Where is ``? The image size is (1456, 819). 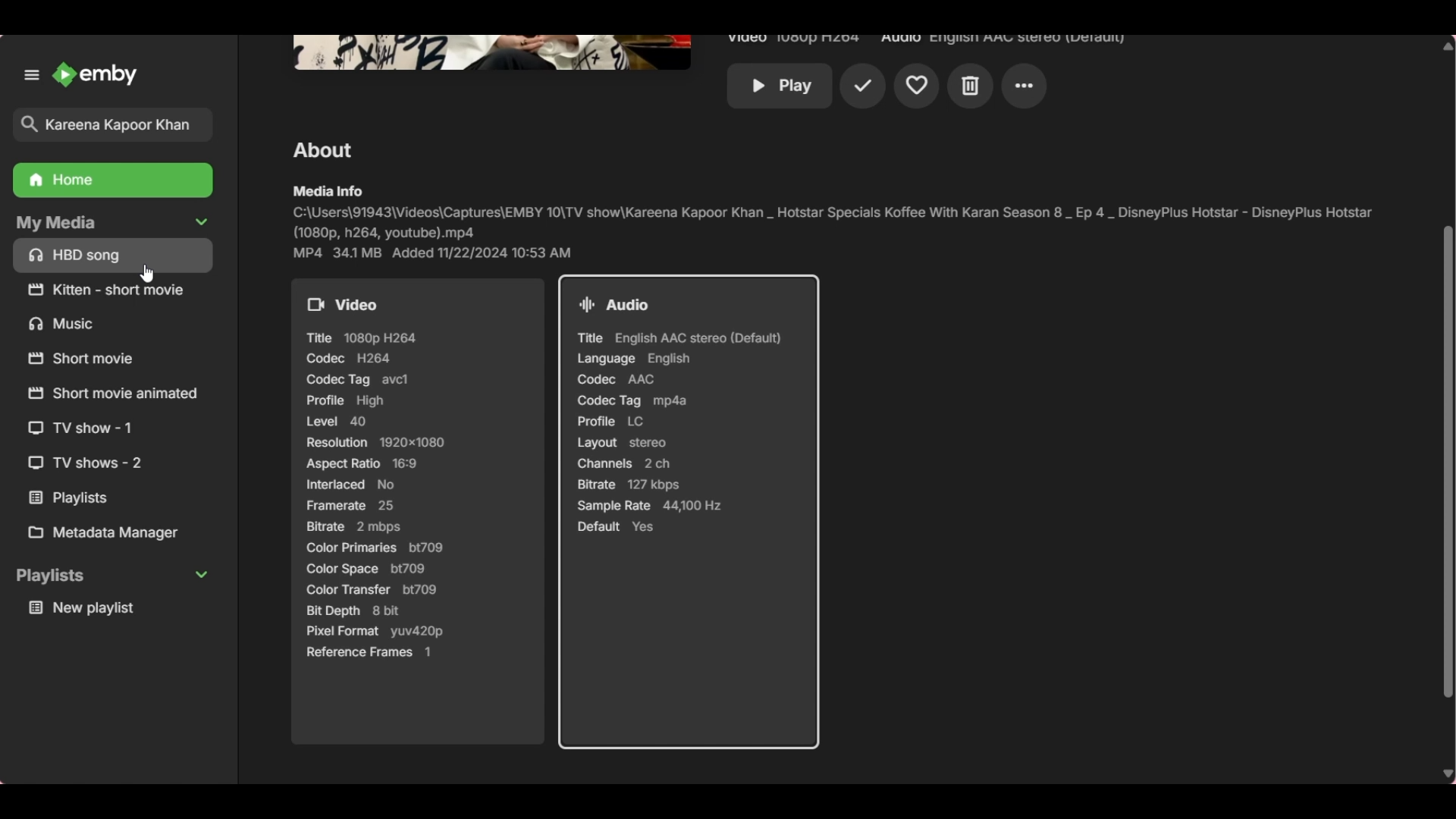  is located at coordinates (968, 85).